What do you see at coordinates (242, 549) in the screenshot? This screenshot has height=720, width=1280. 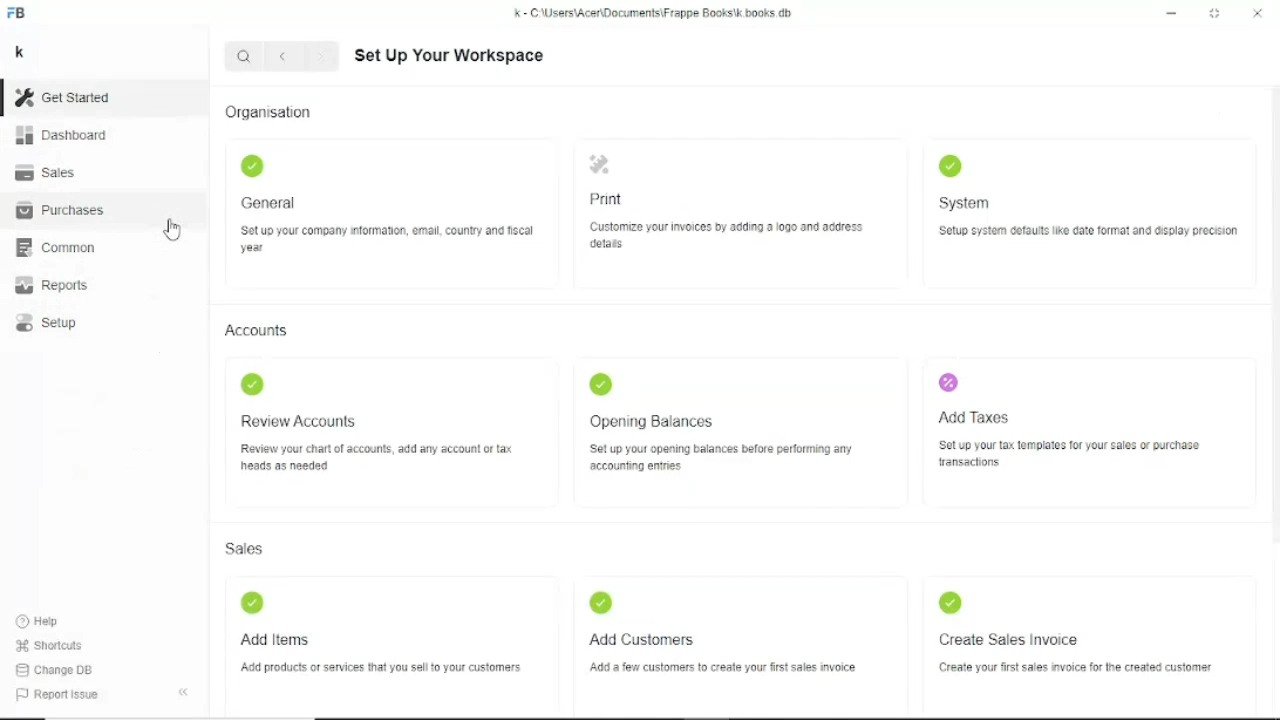 I see `Sales` at bounding box center [242, 549].